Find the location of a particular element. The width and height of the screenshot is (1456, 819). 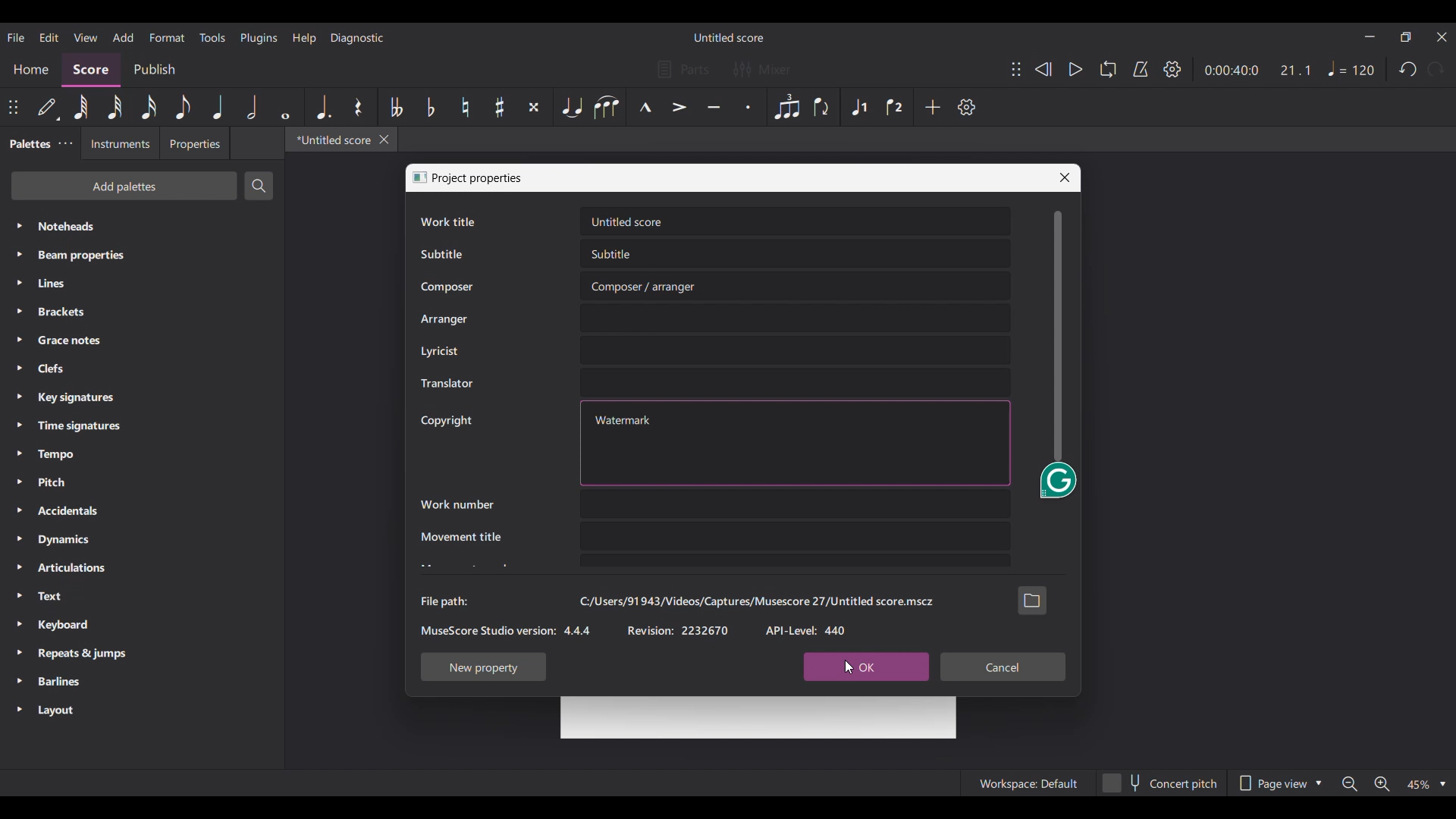

Barlines is located at coordinates (143, 682).